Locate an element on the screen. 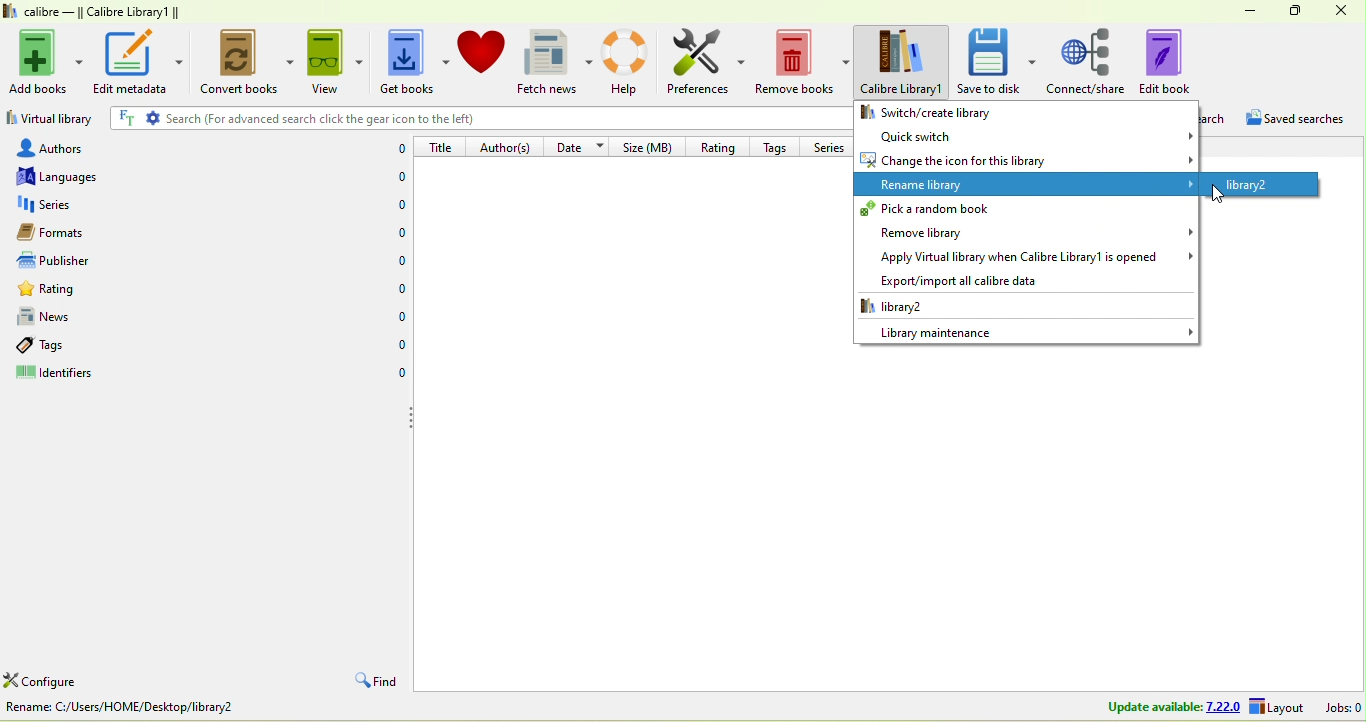 The width and height of the screenshot is (1366, 722). edit book is located at coordinates (1179, 60).